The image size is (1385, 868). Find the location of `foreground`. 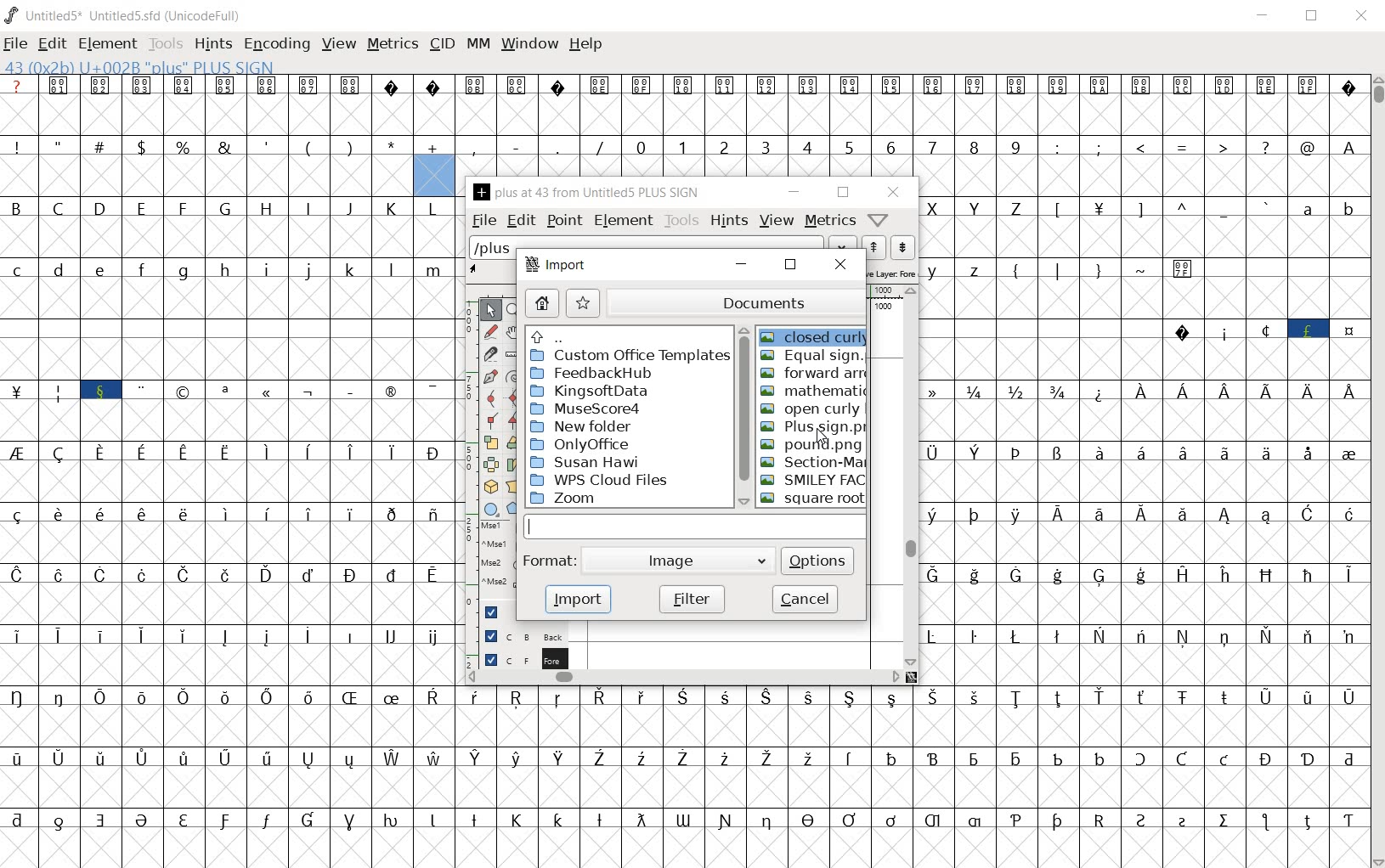

foreground is located at coordinates (518, 657).